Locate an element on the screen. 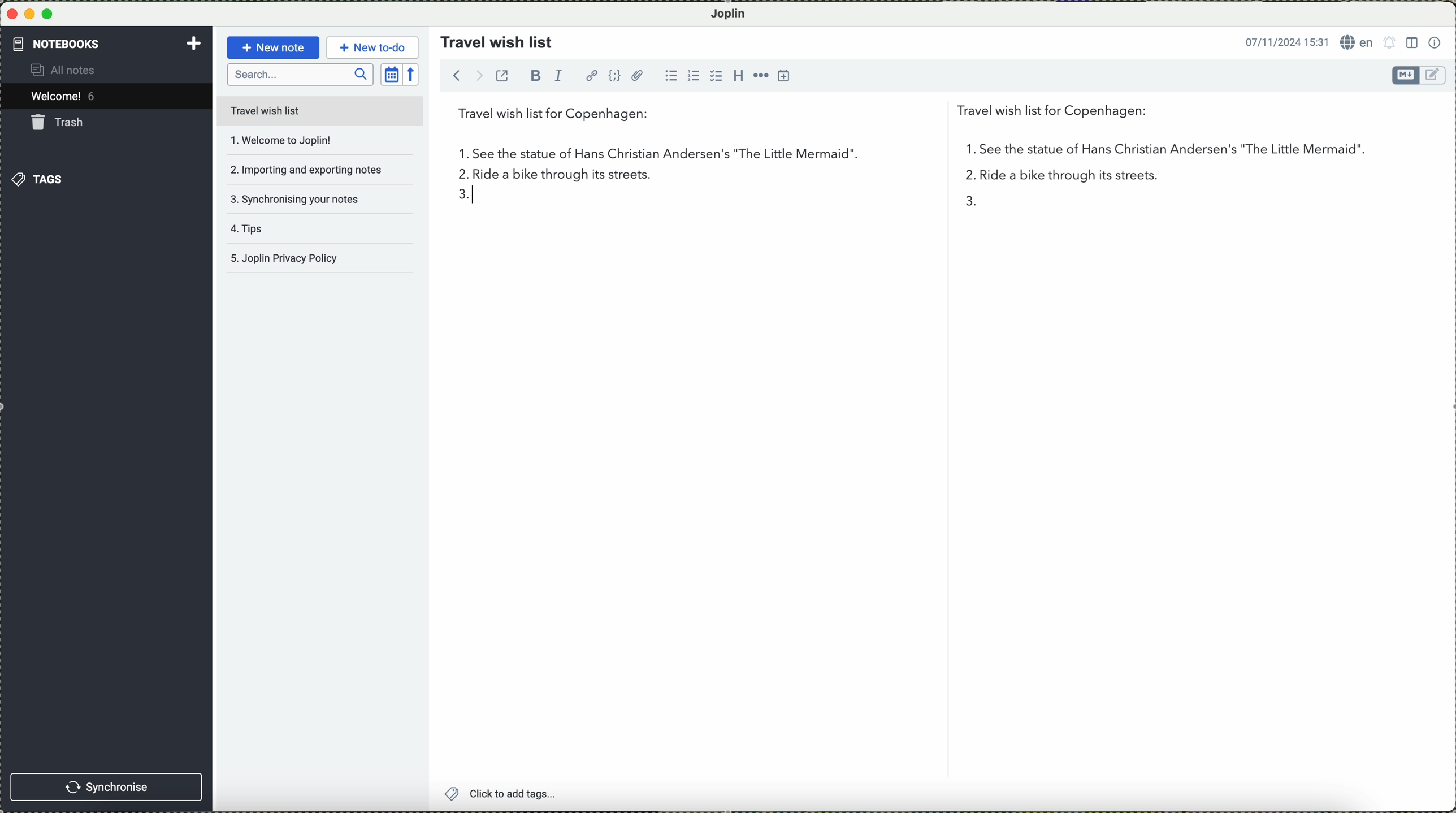 This screenshot has width=1456, height=813. welcome to joplin is located at coordinates (302, 141).